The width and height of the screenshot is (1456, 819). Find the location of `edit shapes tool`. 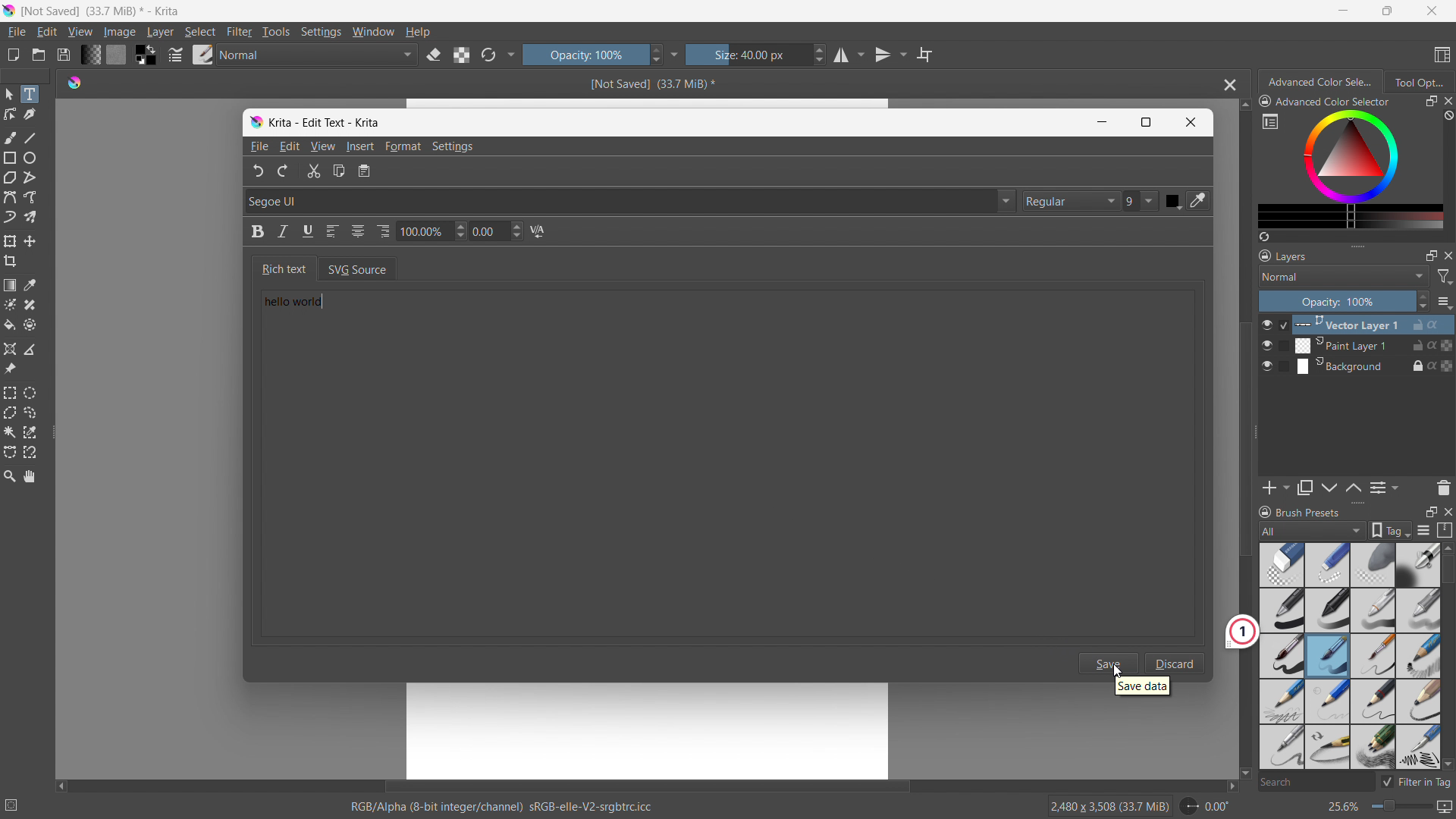

edit shapes tool is located at coordinates (11, 114).